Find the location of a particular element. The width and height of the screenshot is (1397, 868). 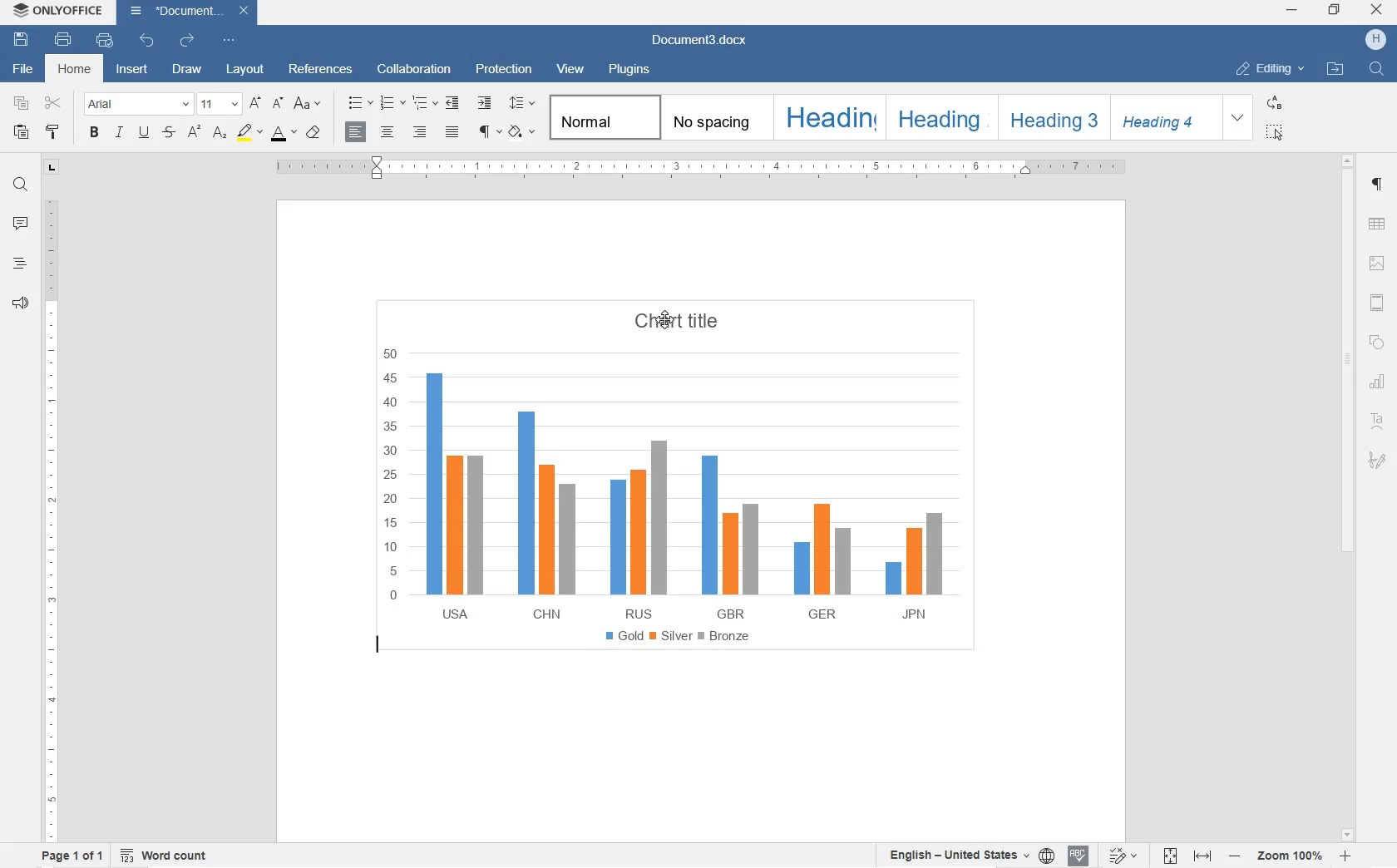

SPELL CHECKING is located at coordinates (1079, 856).